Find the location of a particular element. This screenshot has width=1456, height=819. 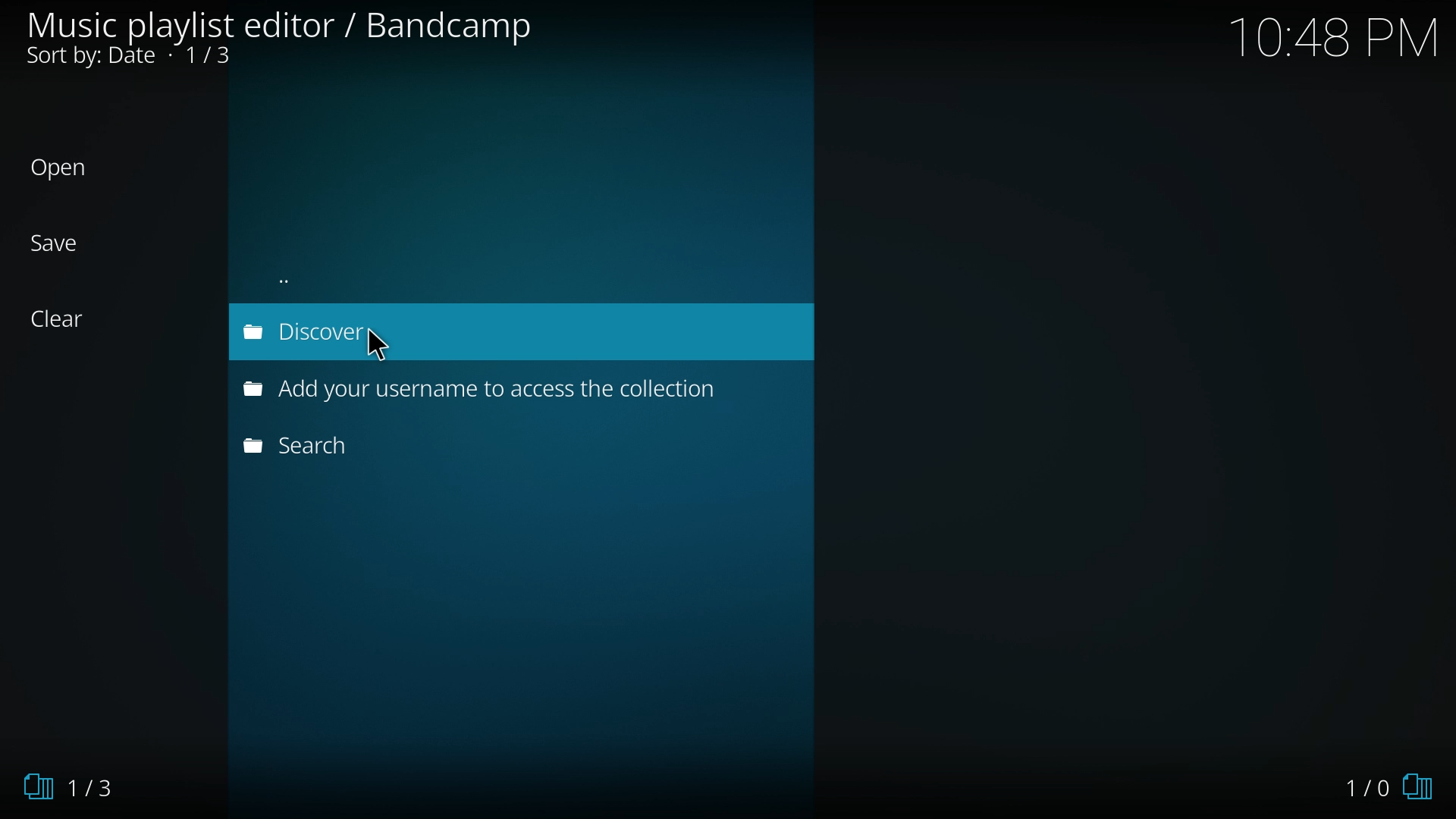

Cursor is located at coordinates (389, 354).